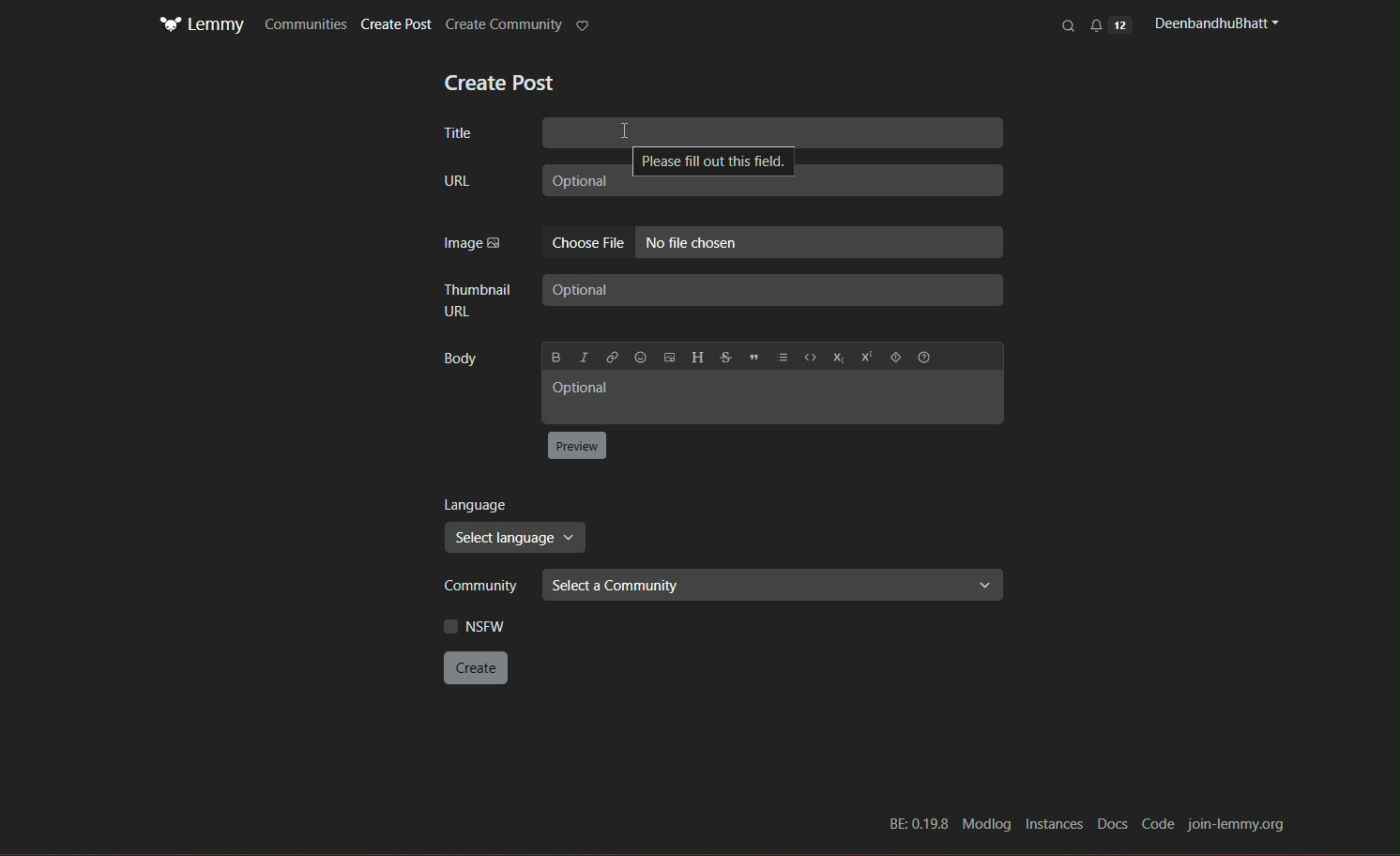 The width and height of the screenshot is (1400, 856). What do you see at coordinates (459, 135) in the screenshot?
I see `title` at bounding box center [459, 135].